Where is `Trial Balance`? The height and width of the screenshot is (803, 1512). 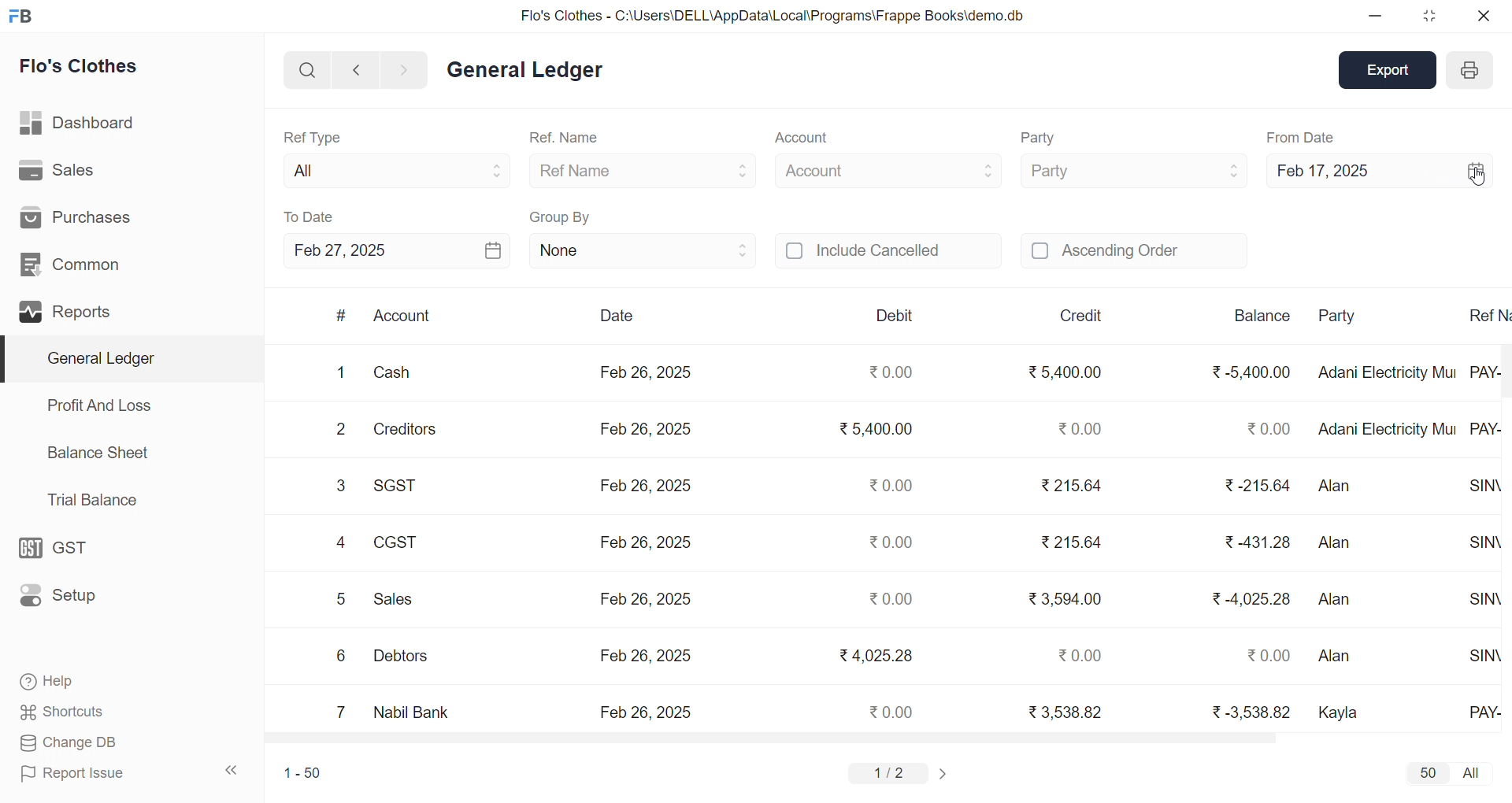
Trial Balance is located at coordinates (94, 501).